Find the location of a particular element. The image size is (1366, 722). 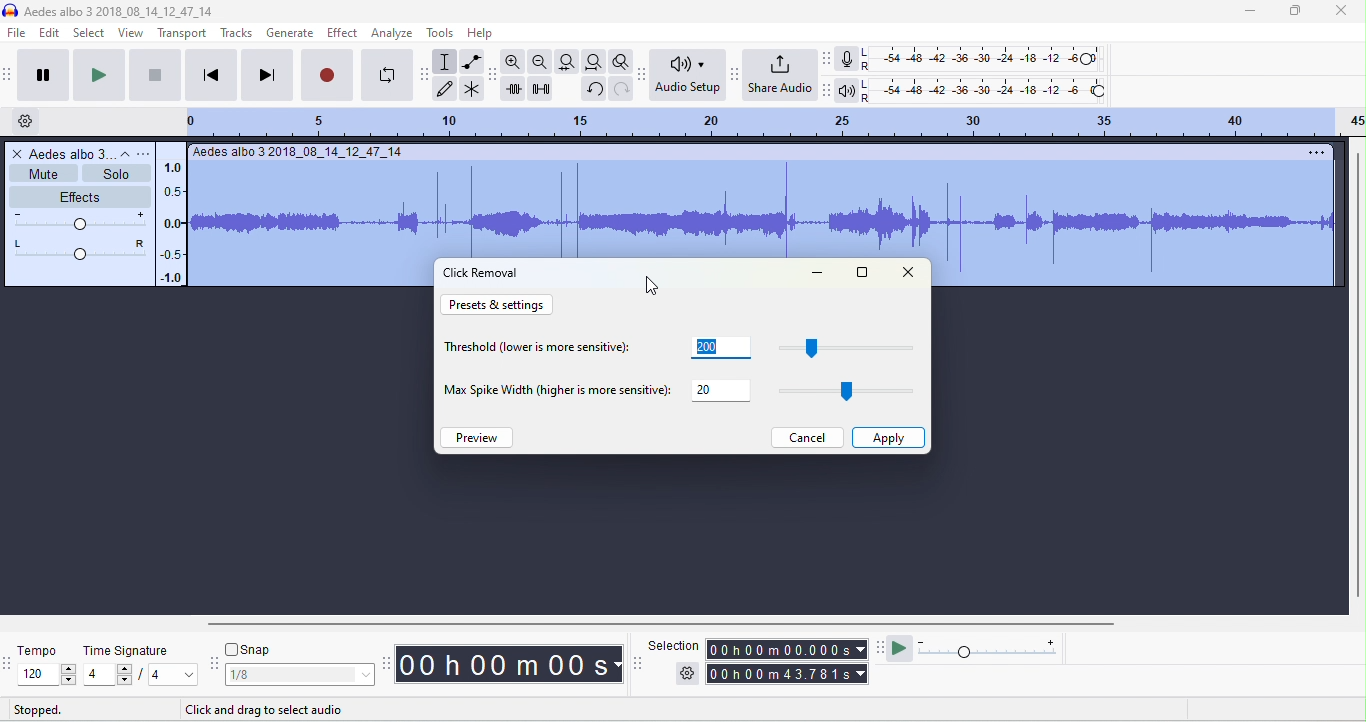

maximize is located at coordinates (864, 272).